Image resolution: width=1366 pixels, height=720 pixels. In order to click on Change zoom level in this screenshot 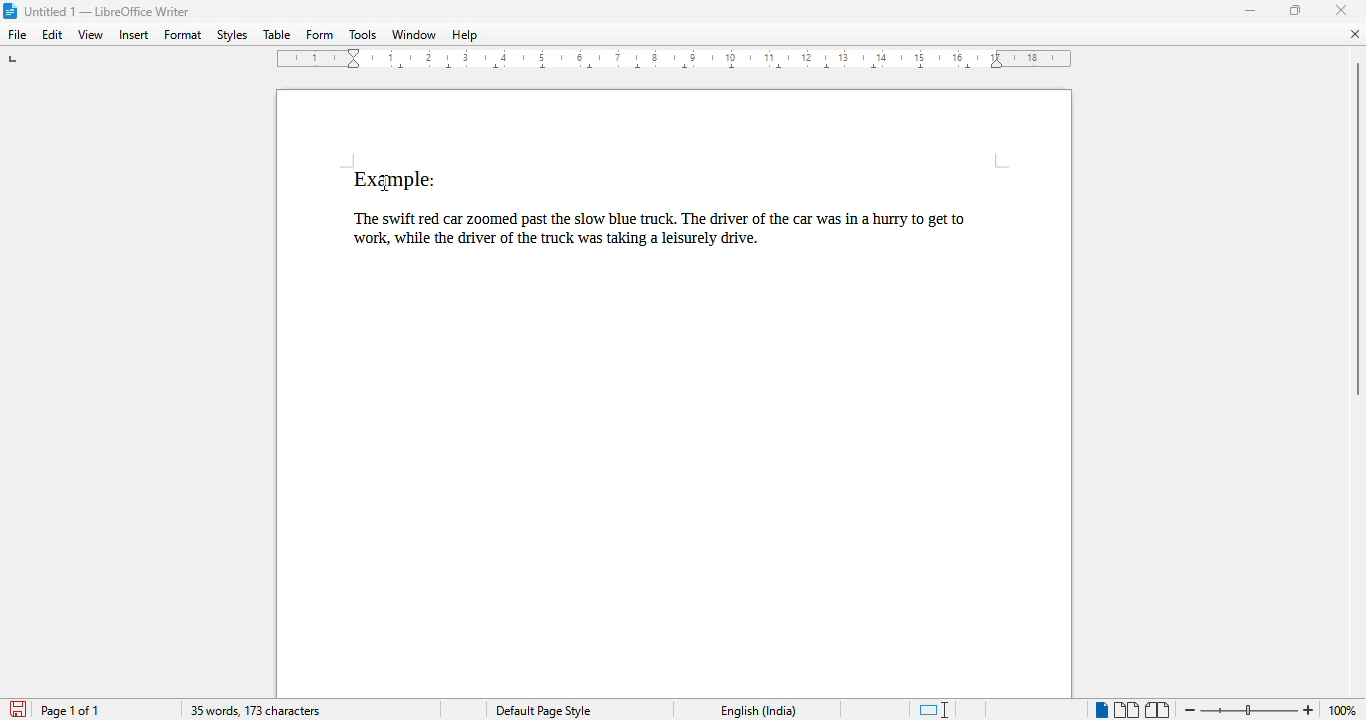, I will do `click(1249, 709)`.